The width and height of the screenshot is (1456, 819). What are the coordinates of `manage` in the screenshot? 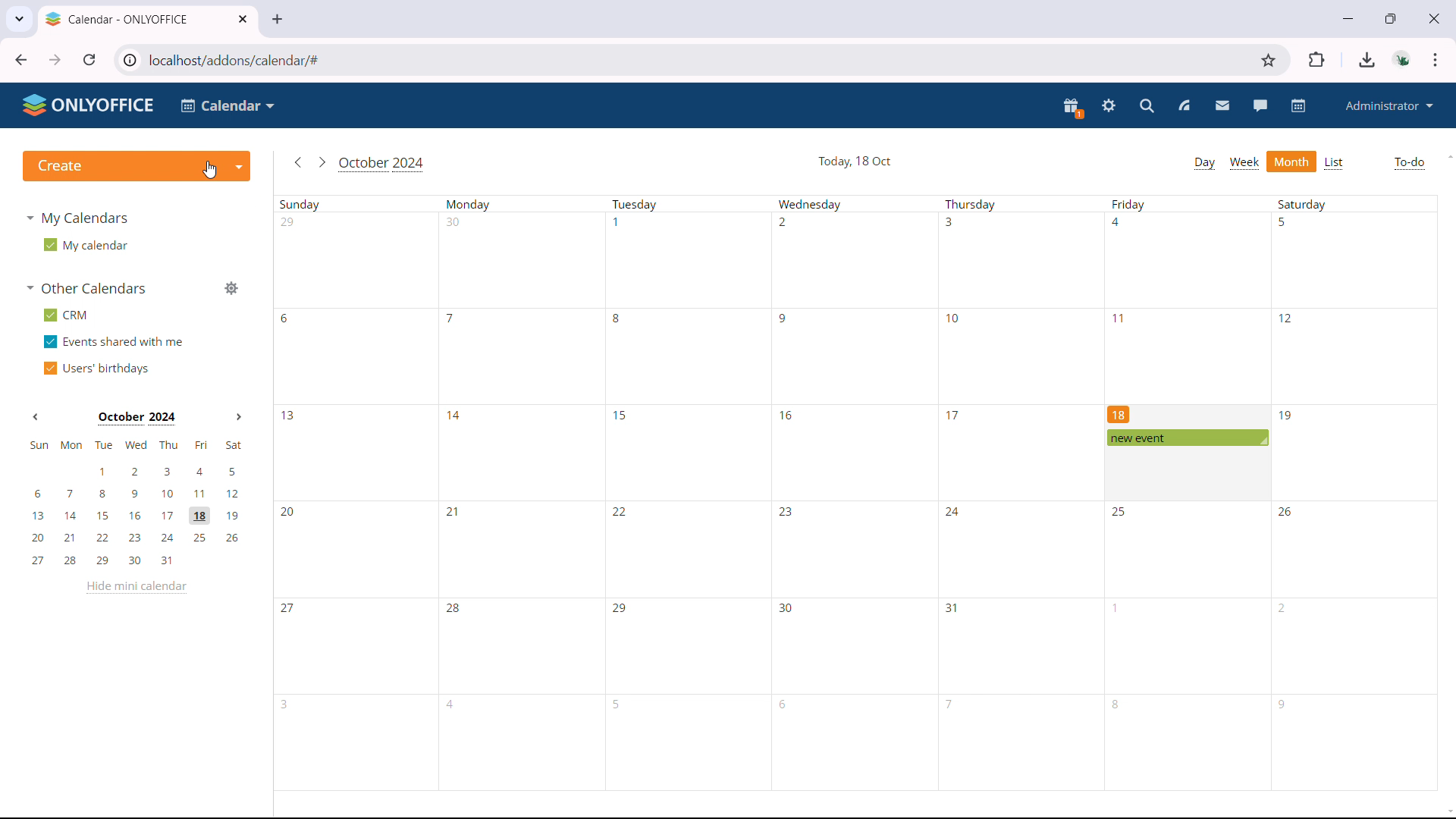 It's located at (231, 289).